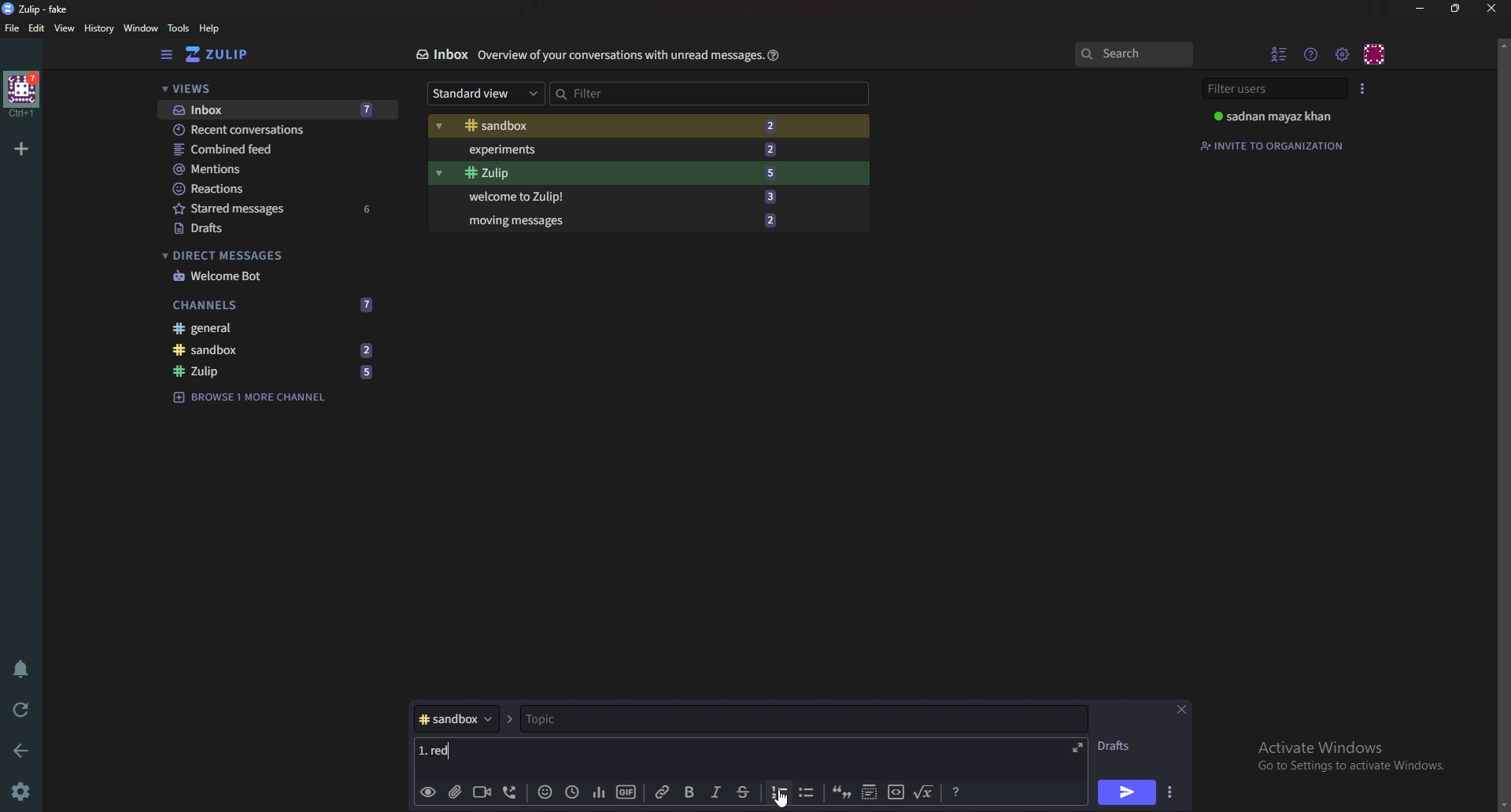  Describe the element at coordinates (688, 792) in the screenshot. I see `bold` at that location.